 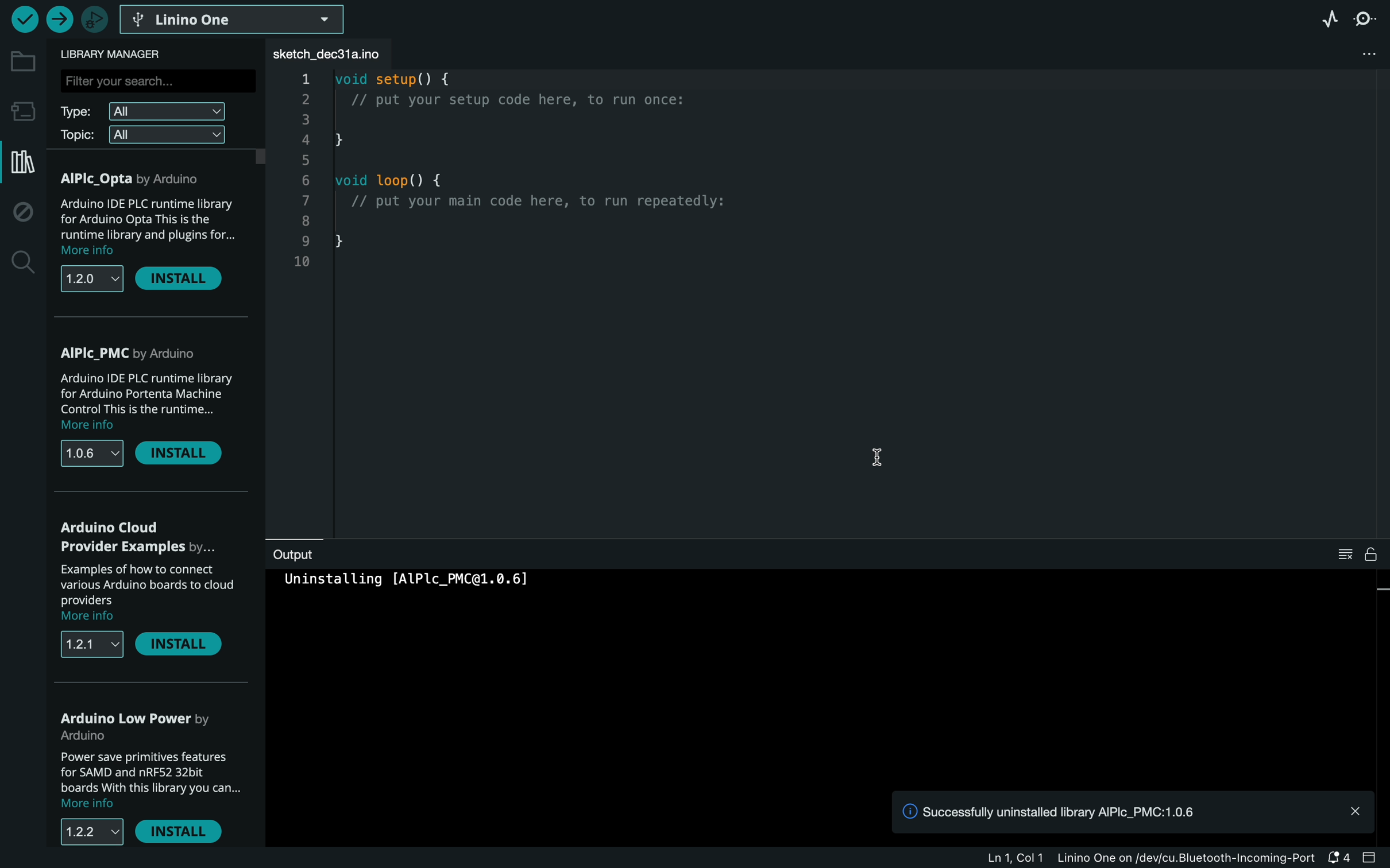 What do you see at coordinates (94, 21) in the screenshot?
I see `debugger` at bounding box center [94, 21].